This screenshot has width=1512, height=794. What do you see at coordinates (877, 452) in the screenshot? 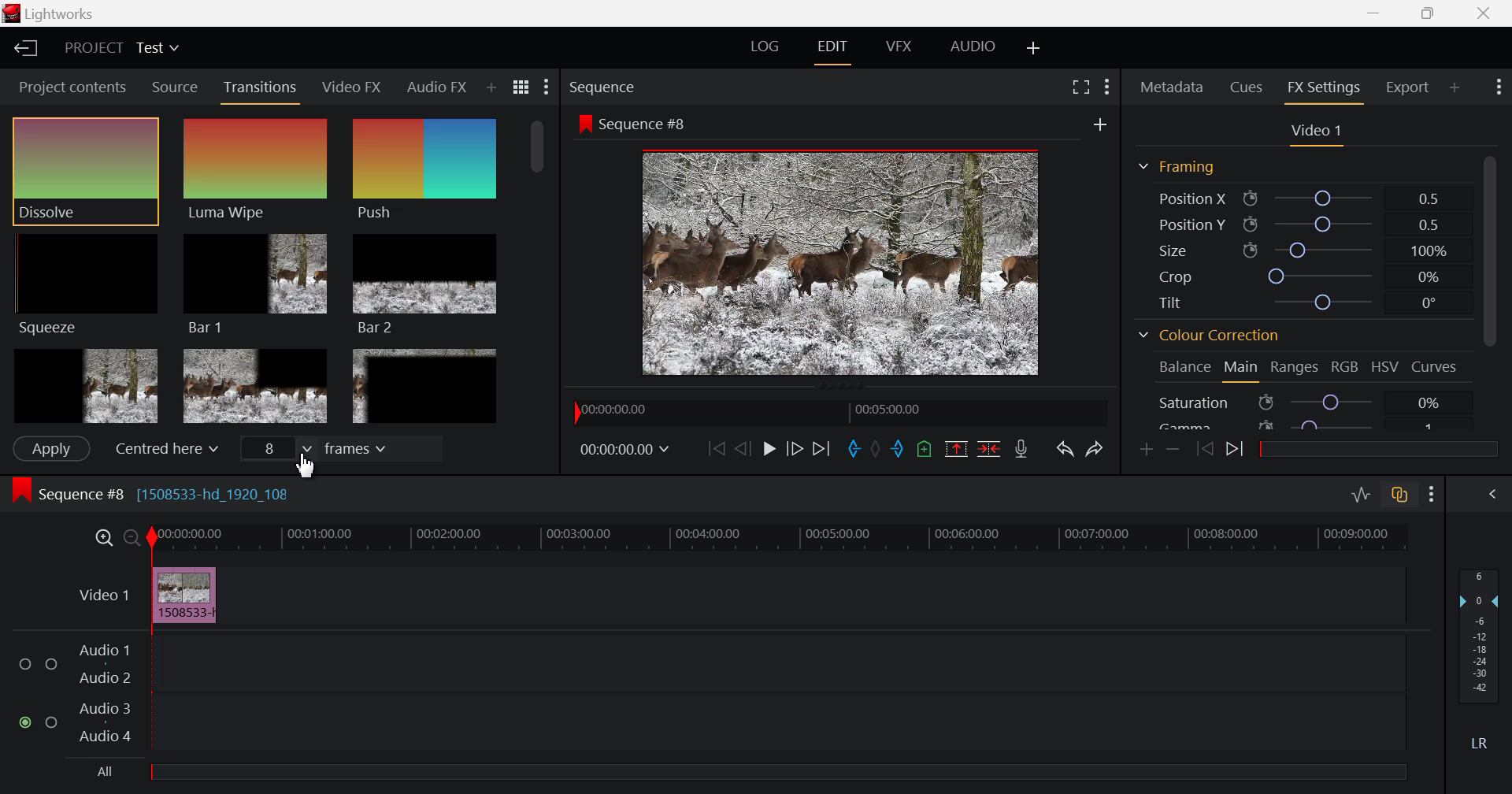
I see `Remove all marks` at bounding box center [877, 452].